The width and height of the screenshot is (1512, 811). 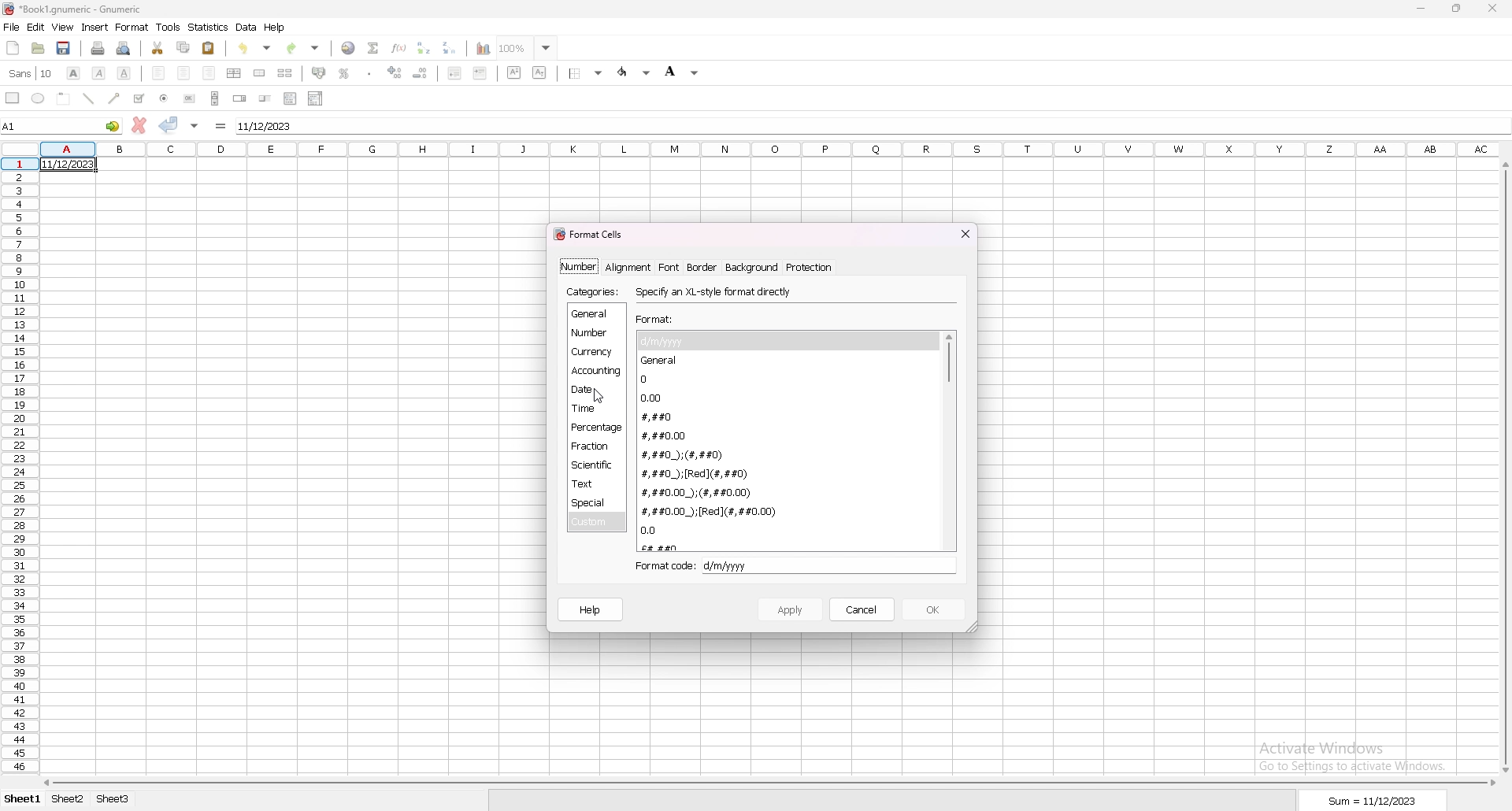 I want to click on scientific, so click(x=595, y=465).